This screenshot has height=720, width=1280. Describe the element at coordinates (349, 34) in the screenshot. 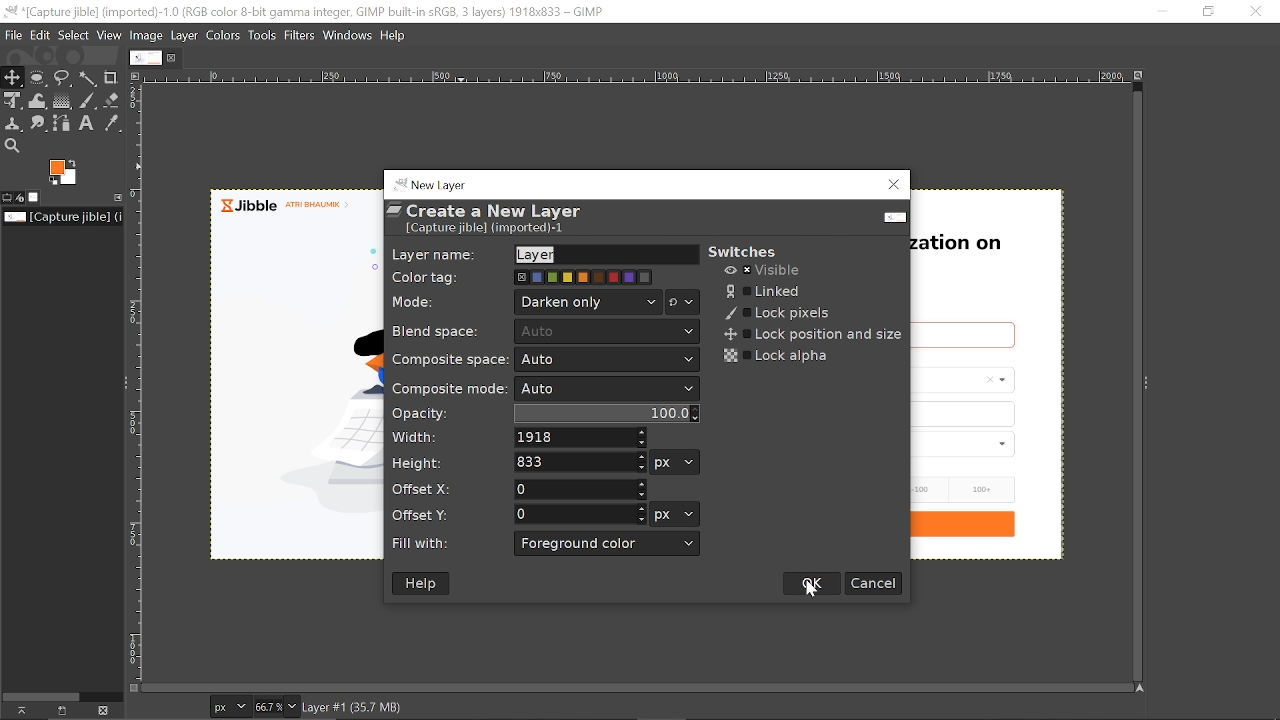

I see `Windows` at that location.